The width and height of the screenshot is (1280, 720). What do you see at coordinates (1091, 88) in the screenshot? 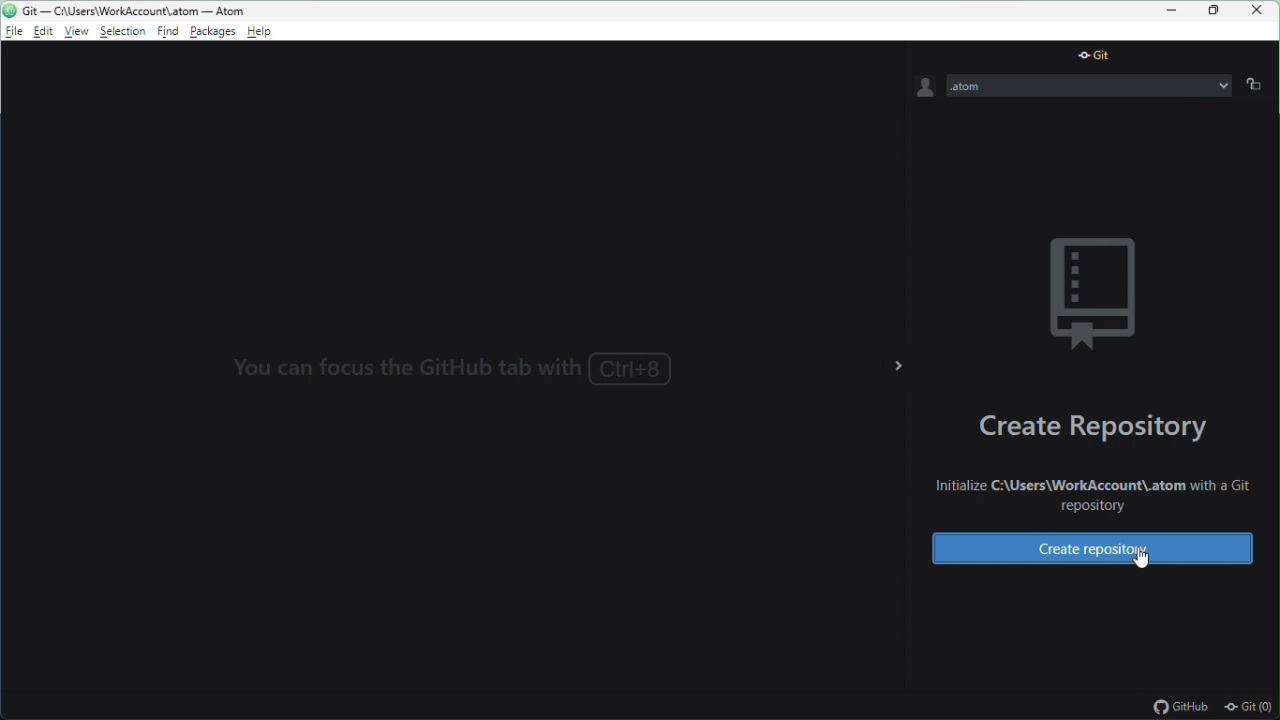
I see `.atom` at bounding box center [1091, 88].